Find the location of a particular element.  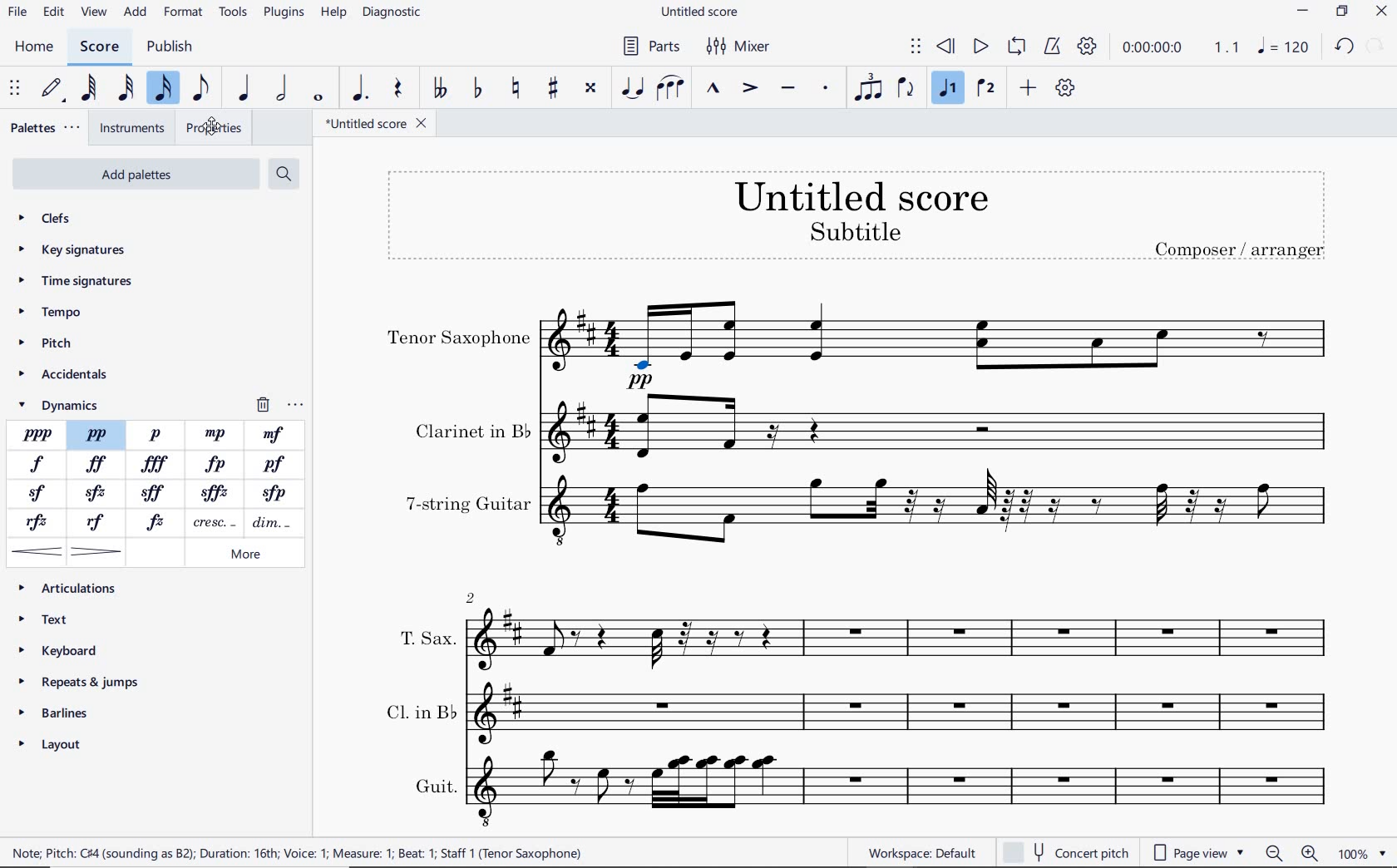

VOICE 1 is located at coordinates (950, 89).